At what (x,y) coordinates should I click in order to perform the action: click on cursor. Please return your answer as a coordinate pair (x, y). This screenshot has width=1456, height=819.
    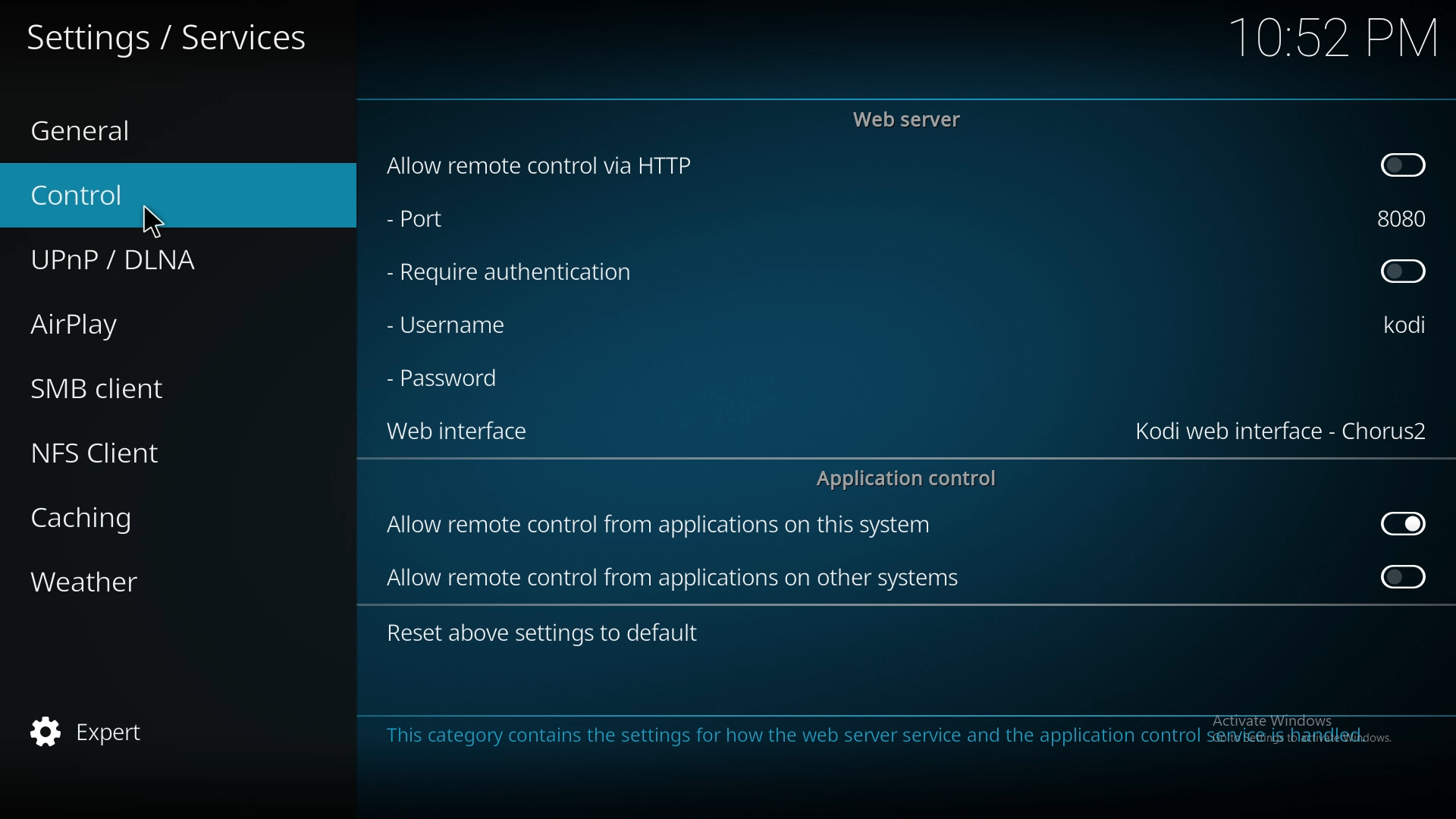
    Looking at the image, I should click on (152, 221).